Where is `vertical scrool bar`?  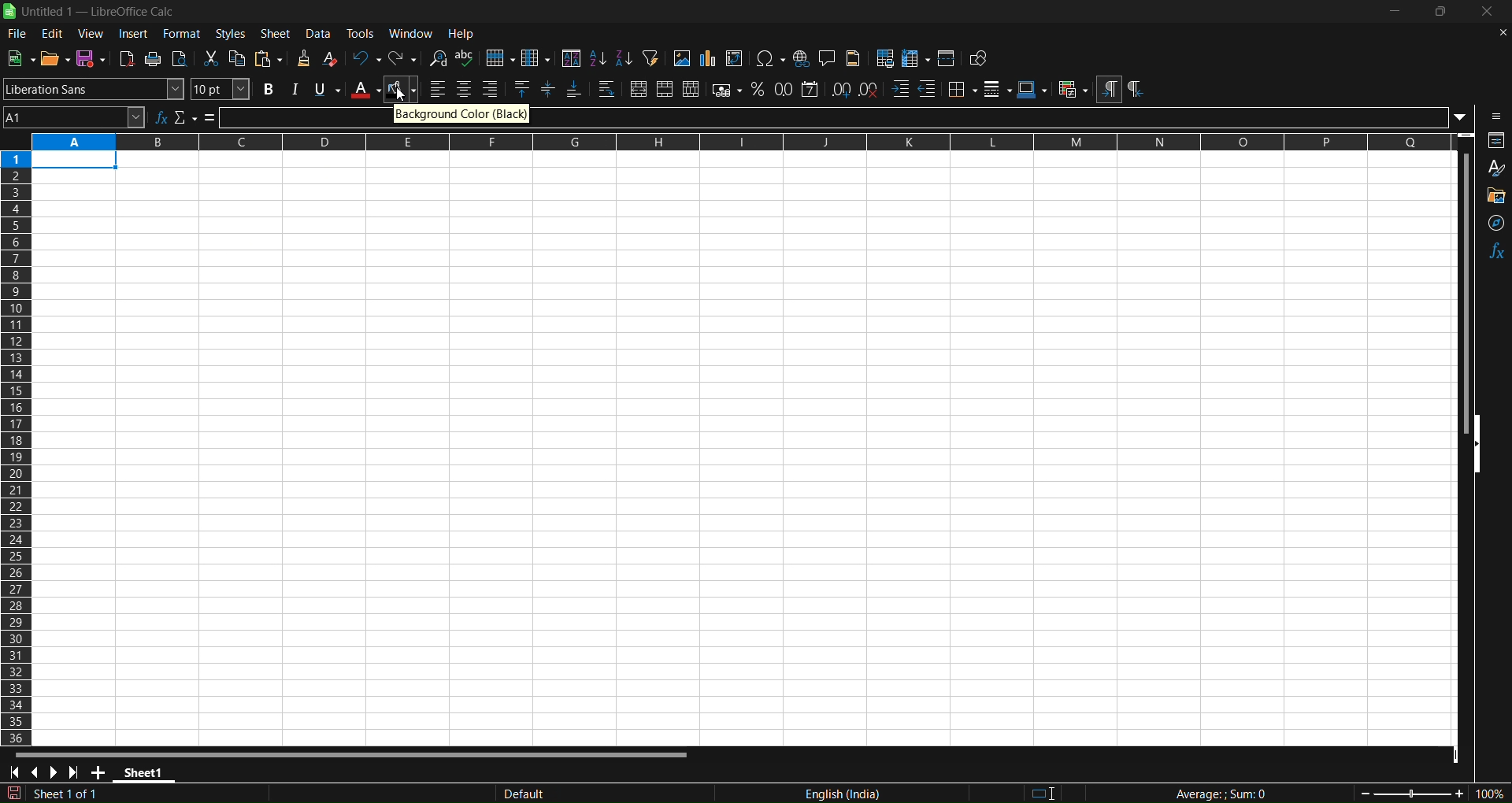 vertical scrool bar is located at coordinates (1458, 296).